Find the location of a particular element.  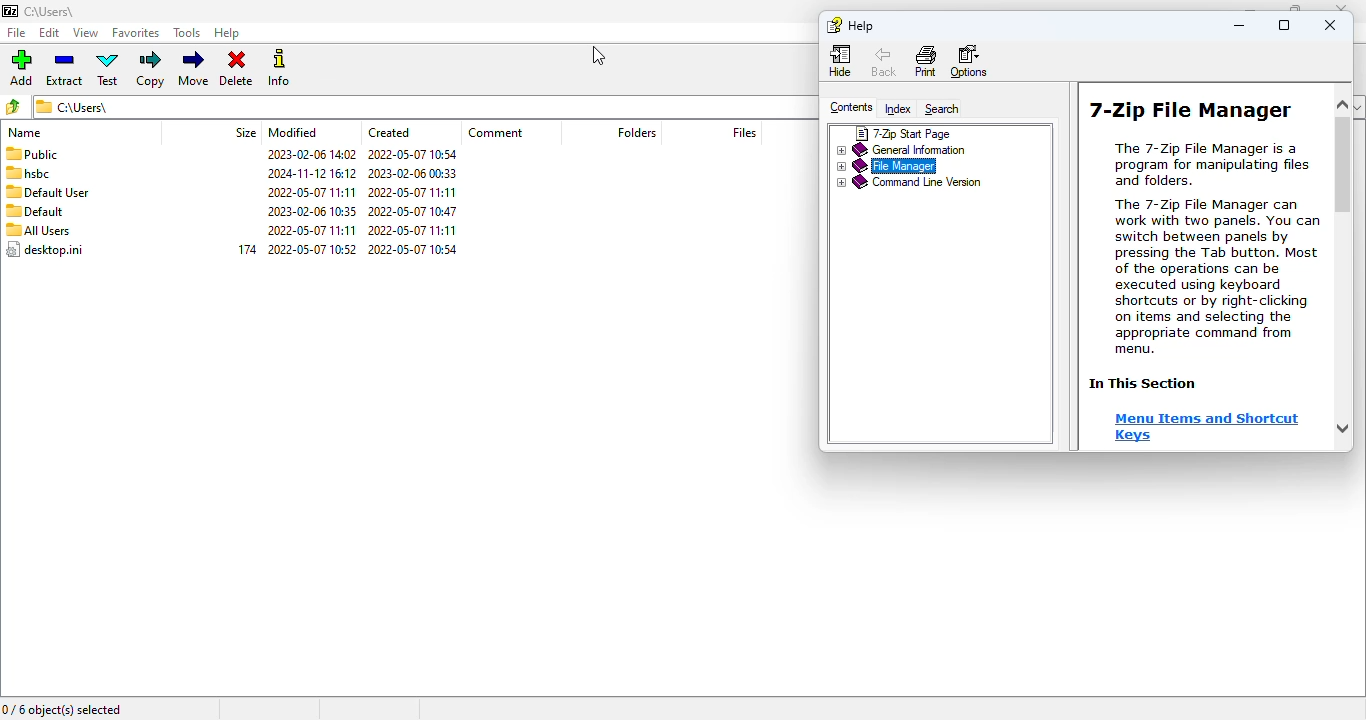

files is located at coordinates (745, 132).